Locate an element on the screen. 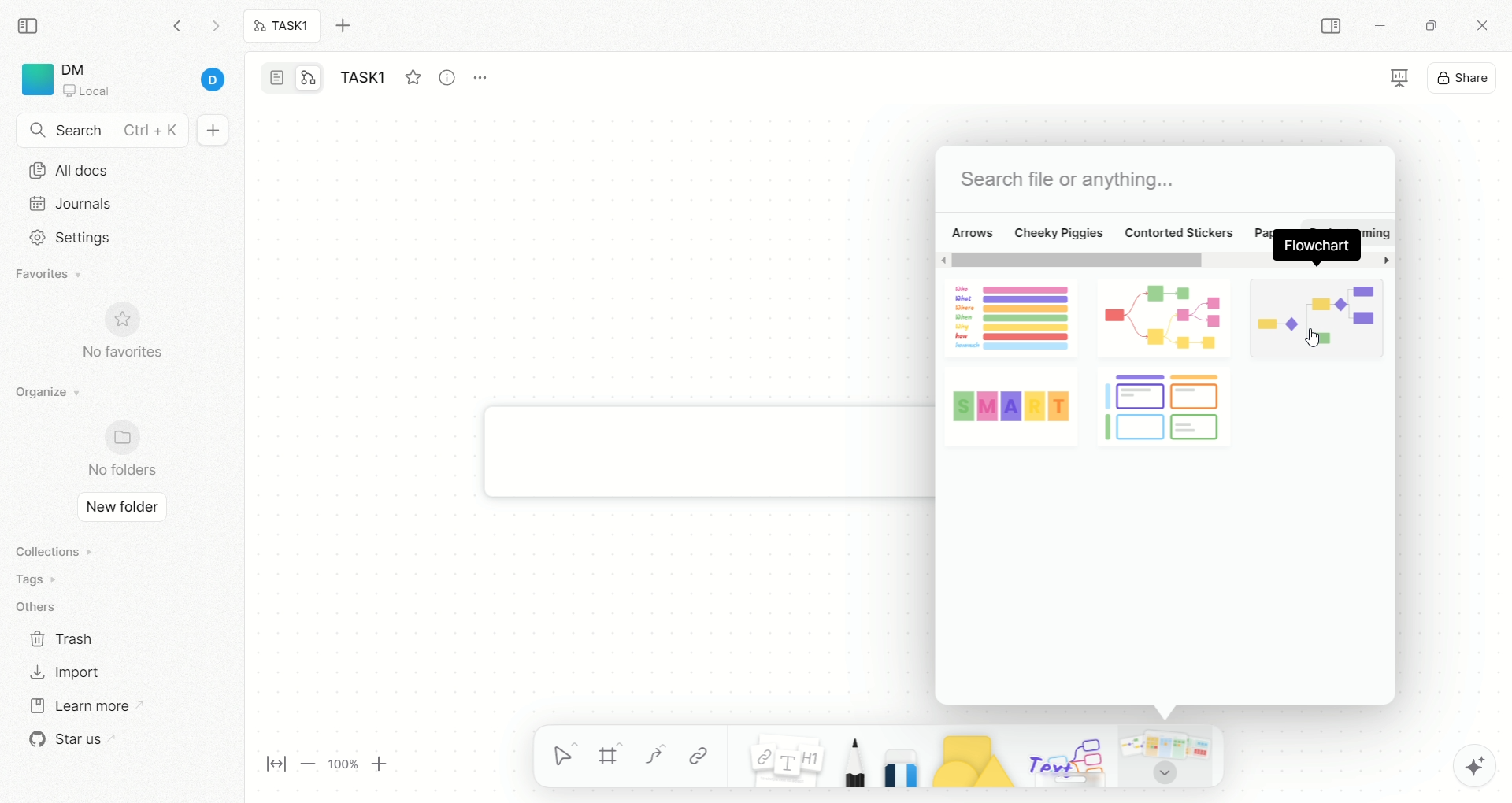 This screenshot has width=1512, height=803. curve is located at coordinates (654, 758).